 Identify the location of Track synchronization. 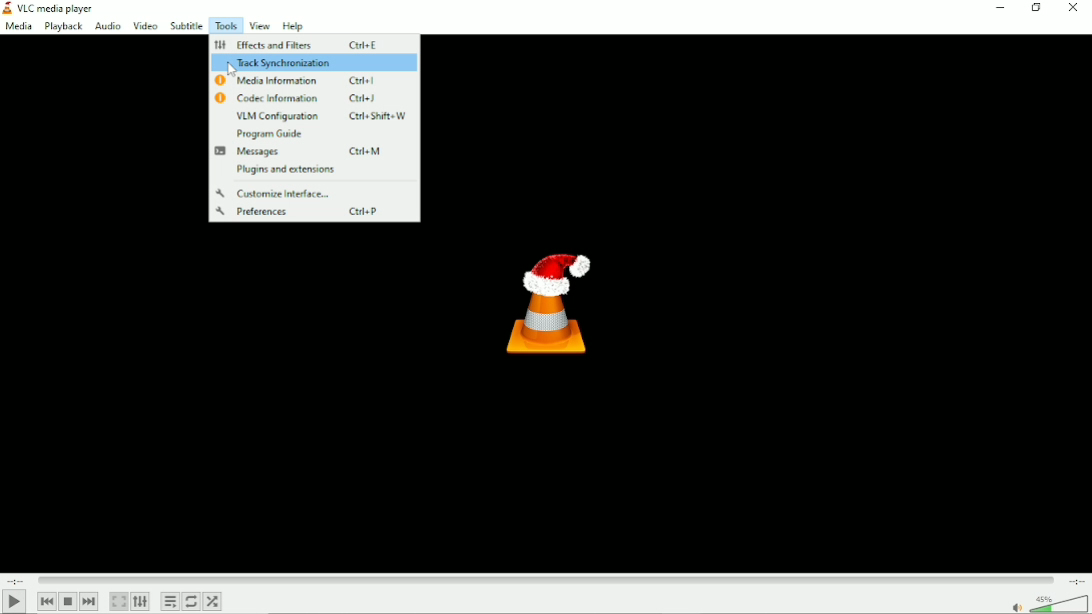
(312, 63).